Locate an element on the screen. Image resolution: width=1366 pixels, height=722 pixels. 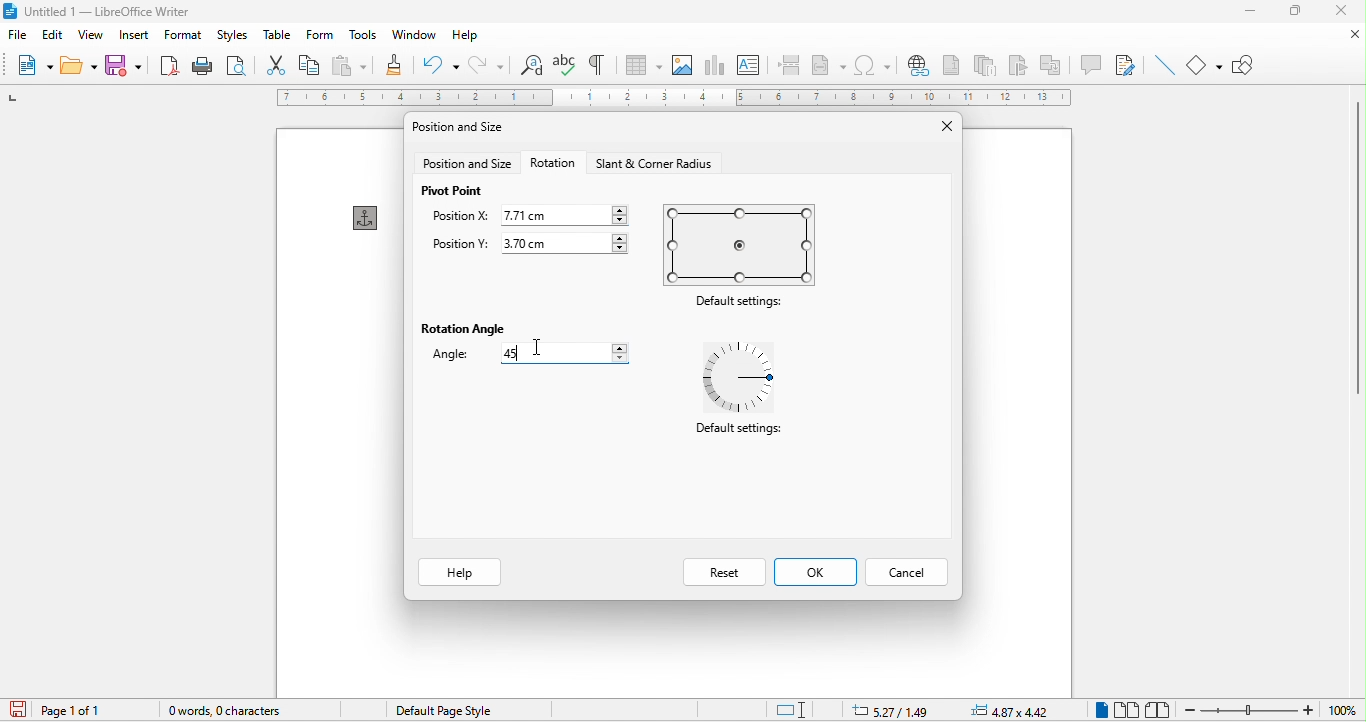
show track changes function is located at coordinates (1125, 64).